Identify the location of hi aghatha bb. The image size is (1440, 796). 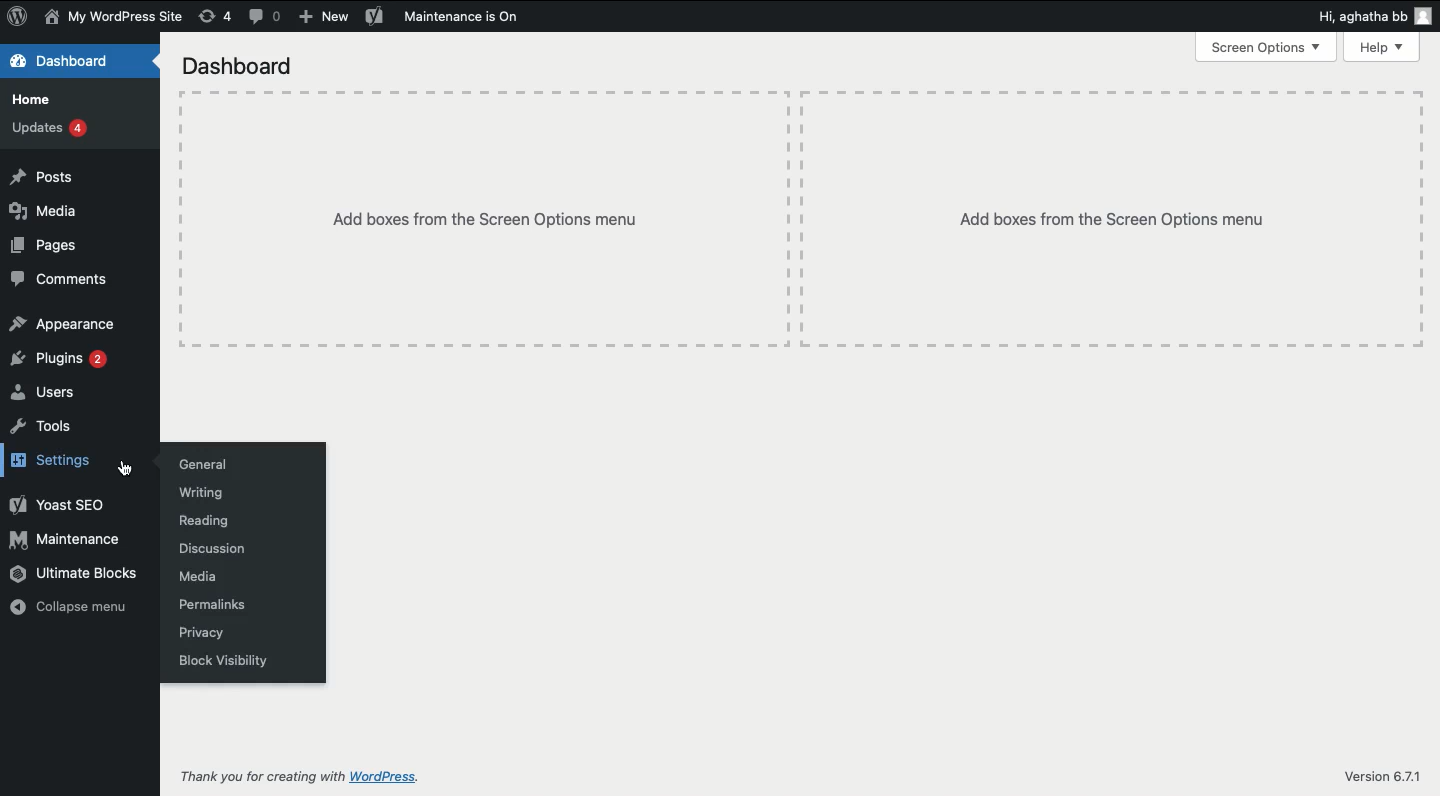
(1376, 16).